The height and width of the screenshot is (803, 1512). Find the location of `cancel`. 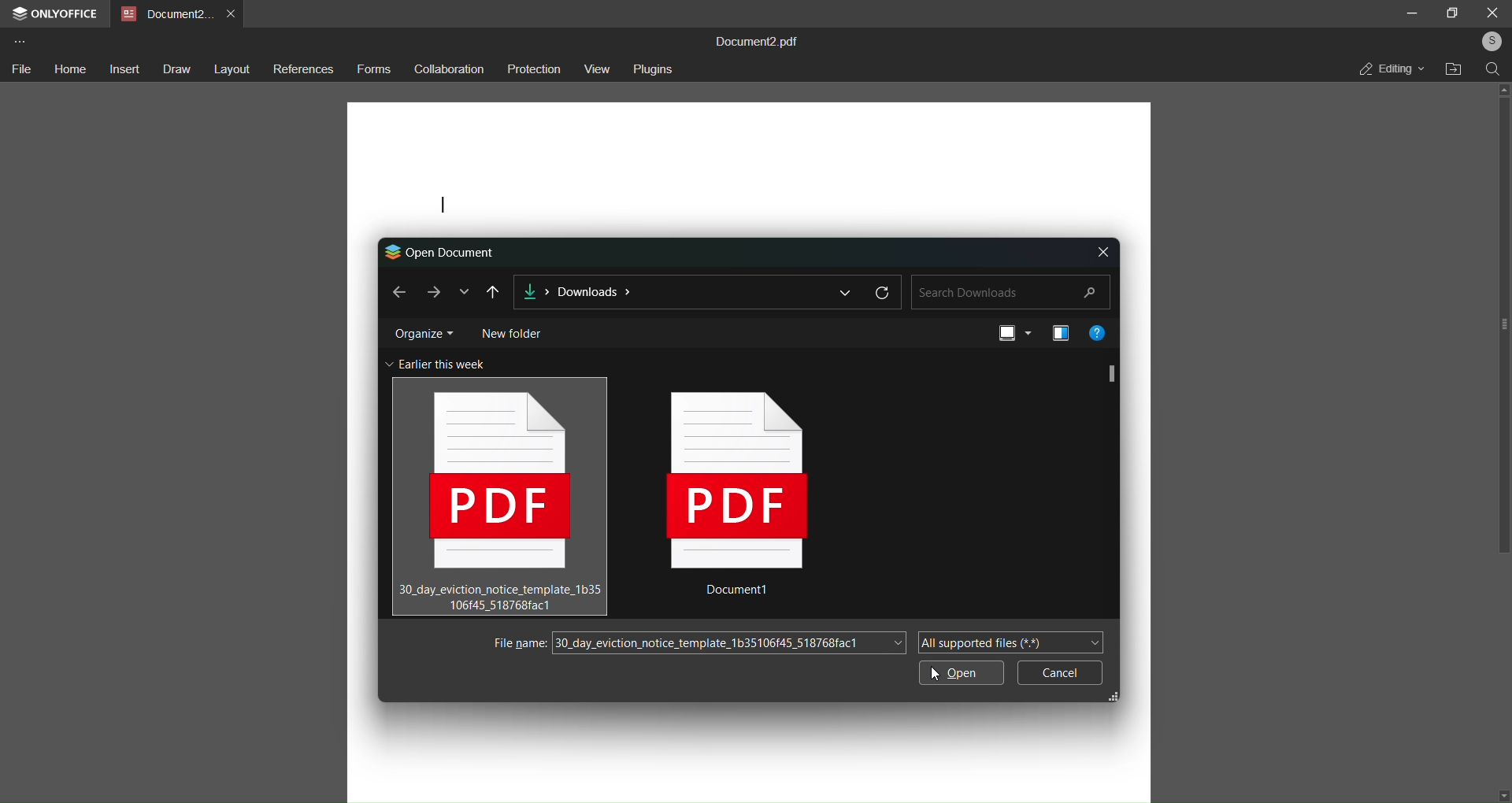

cancel is located at coordinates (1060, 672).